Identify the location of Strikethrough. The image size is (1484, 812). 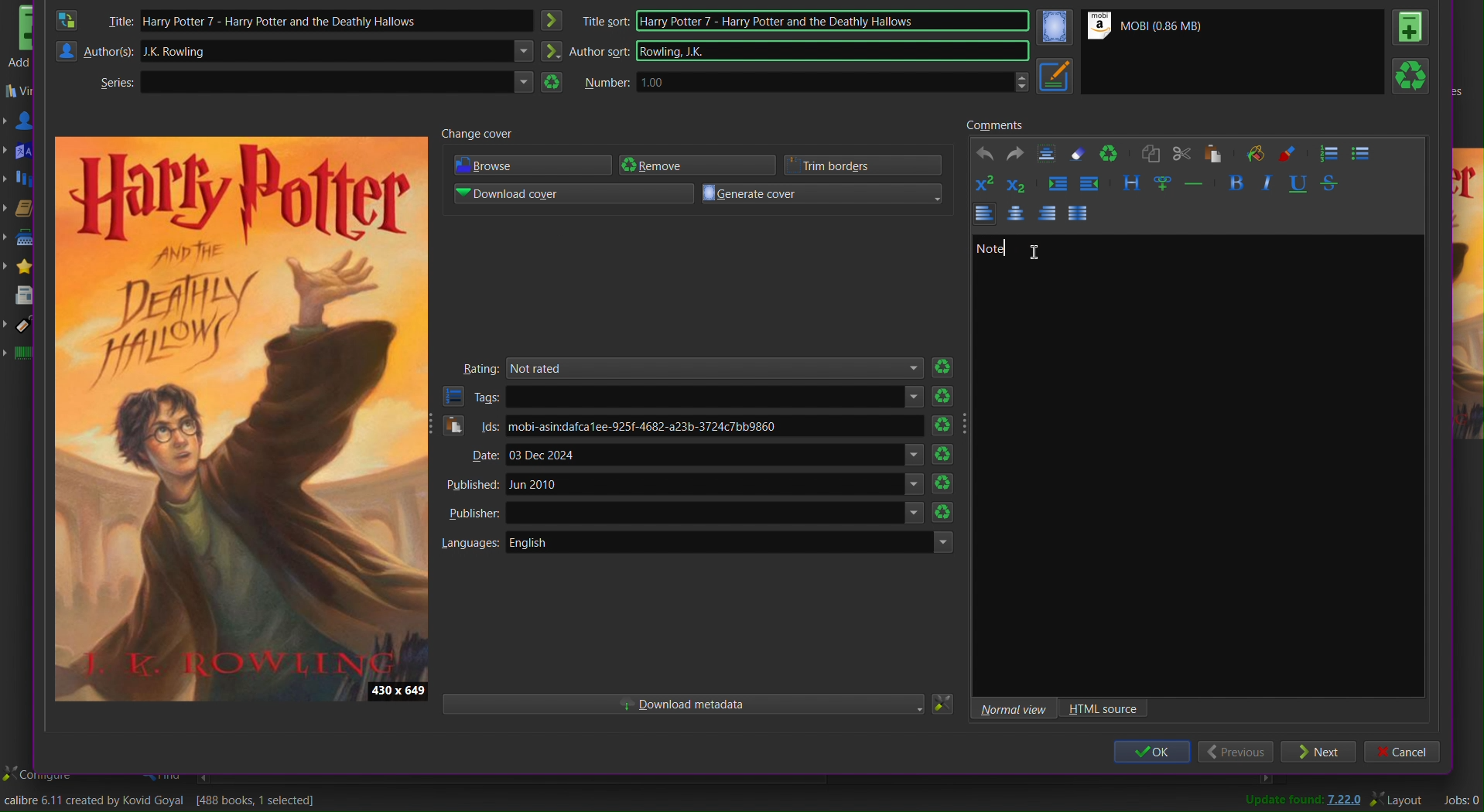
(1329, 183).